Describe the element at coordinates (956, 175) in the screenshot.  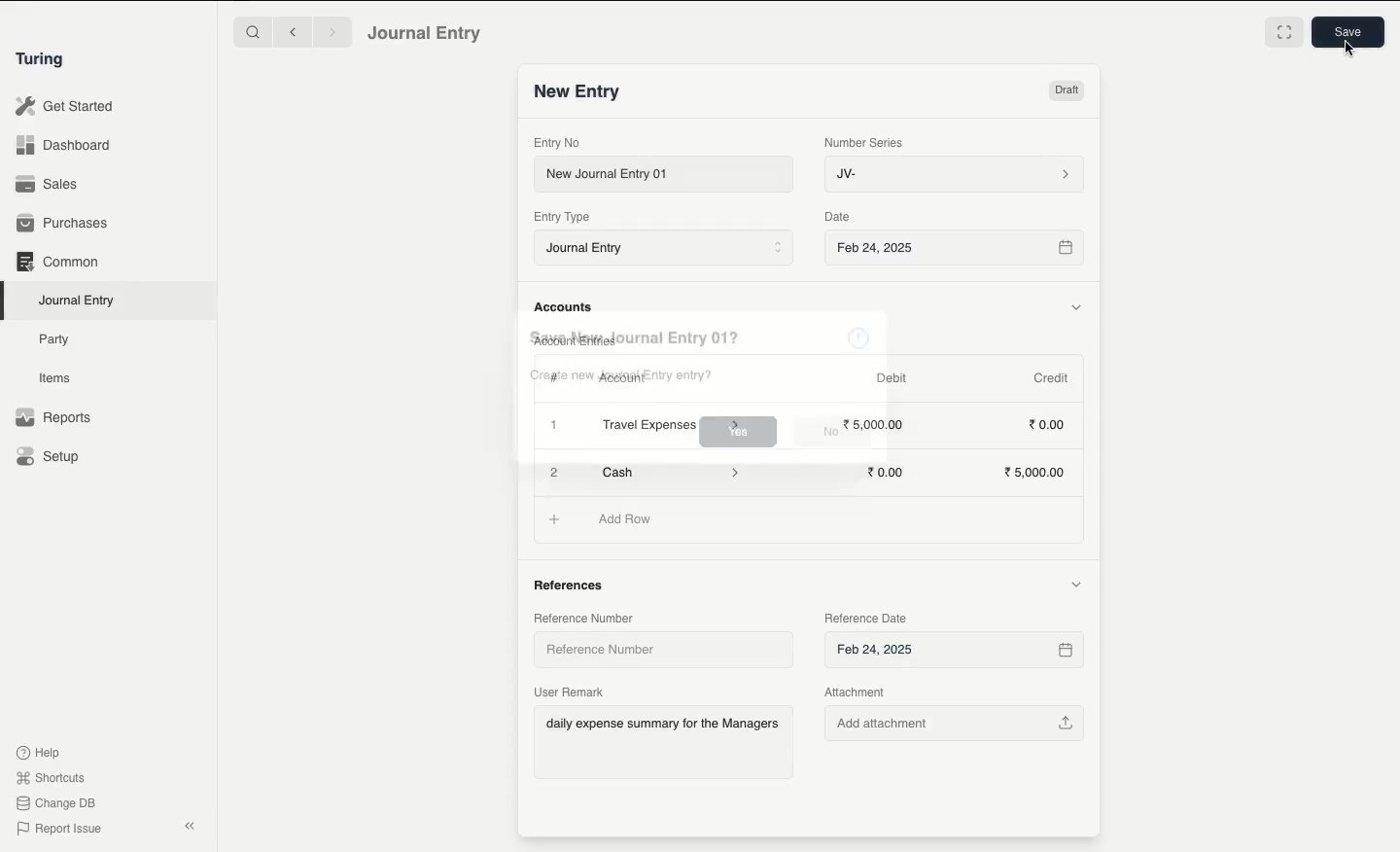
I see `JV-` at that location.